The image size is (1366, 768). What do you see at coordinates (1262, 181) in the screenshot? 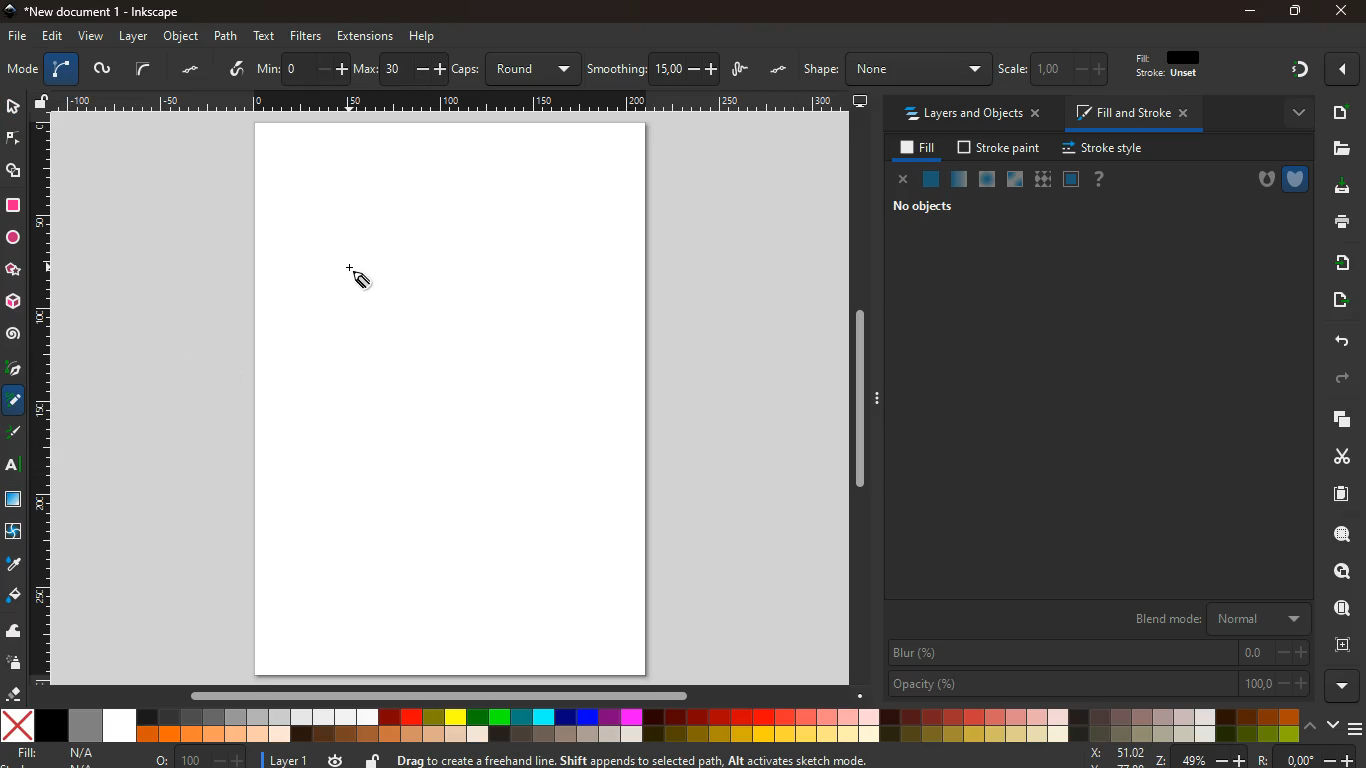
I see `hole` at bounding box center [1262, 181].